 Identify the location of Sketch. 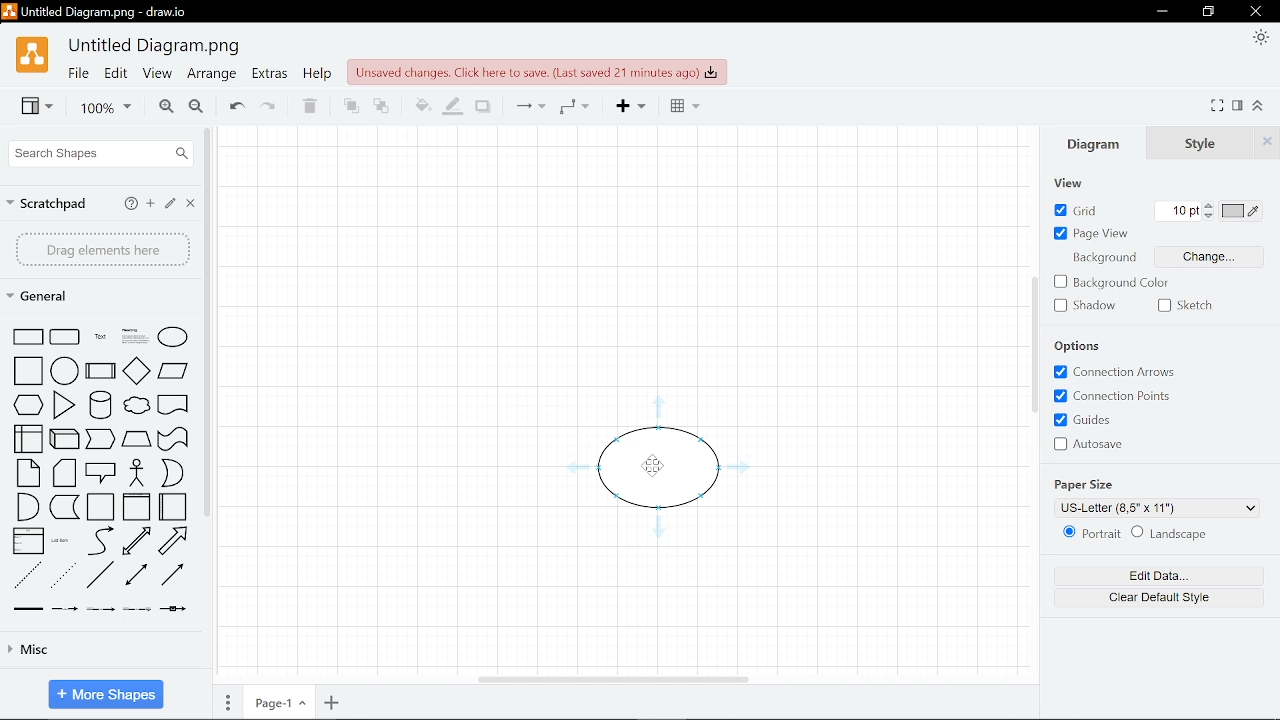
(1186, 306).